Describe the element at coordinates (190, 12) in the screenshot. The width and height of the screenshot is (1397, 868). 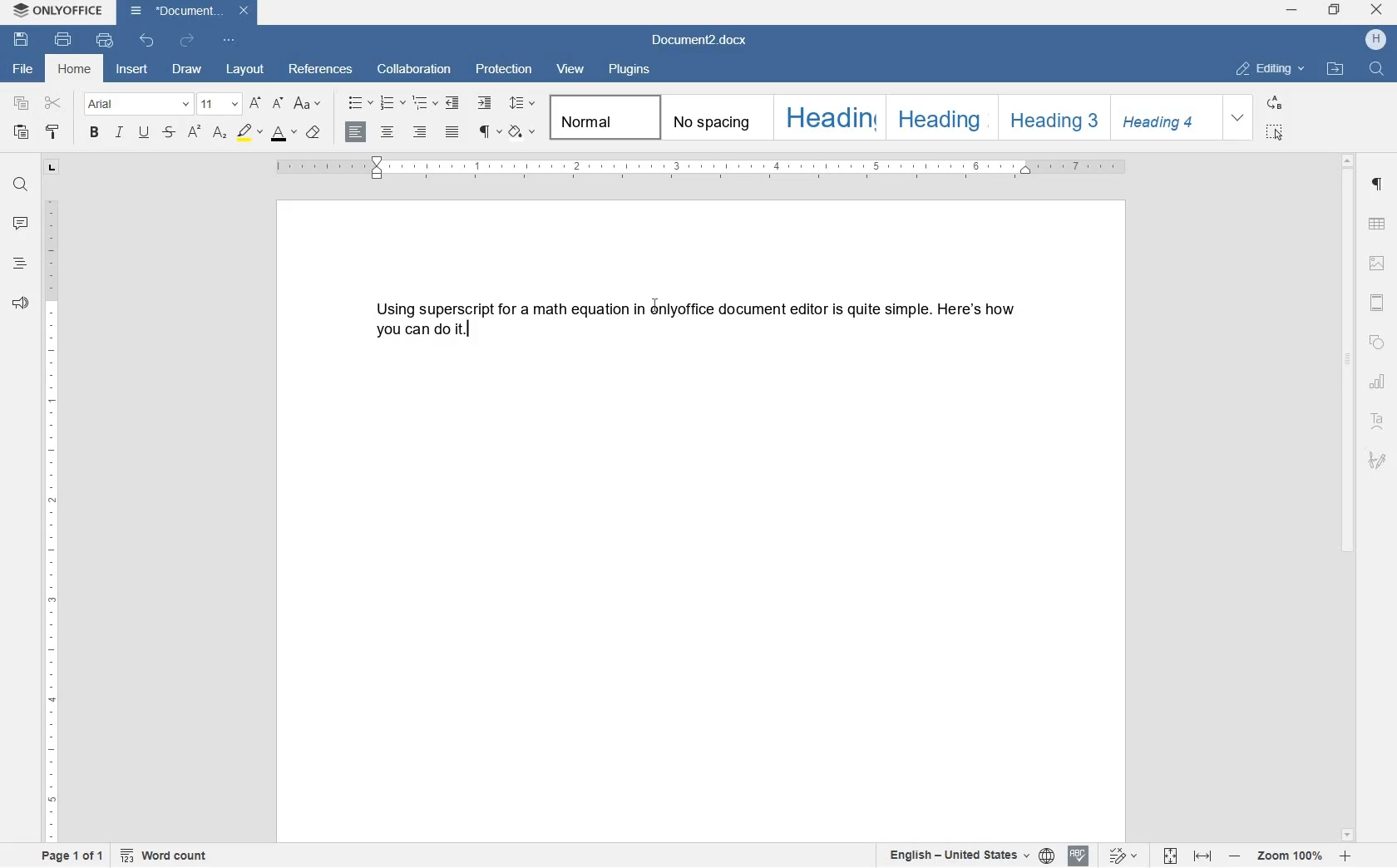
I see `Document2.docx` at that location.